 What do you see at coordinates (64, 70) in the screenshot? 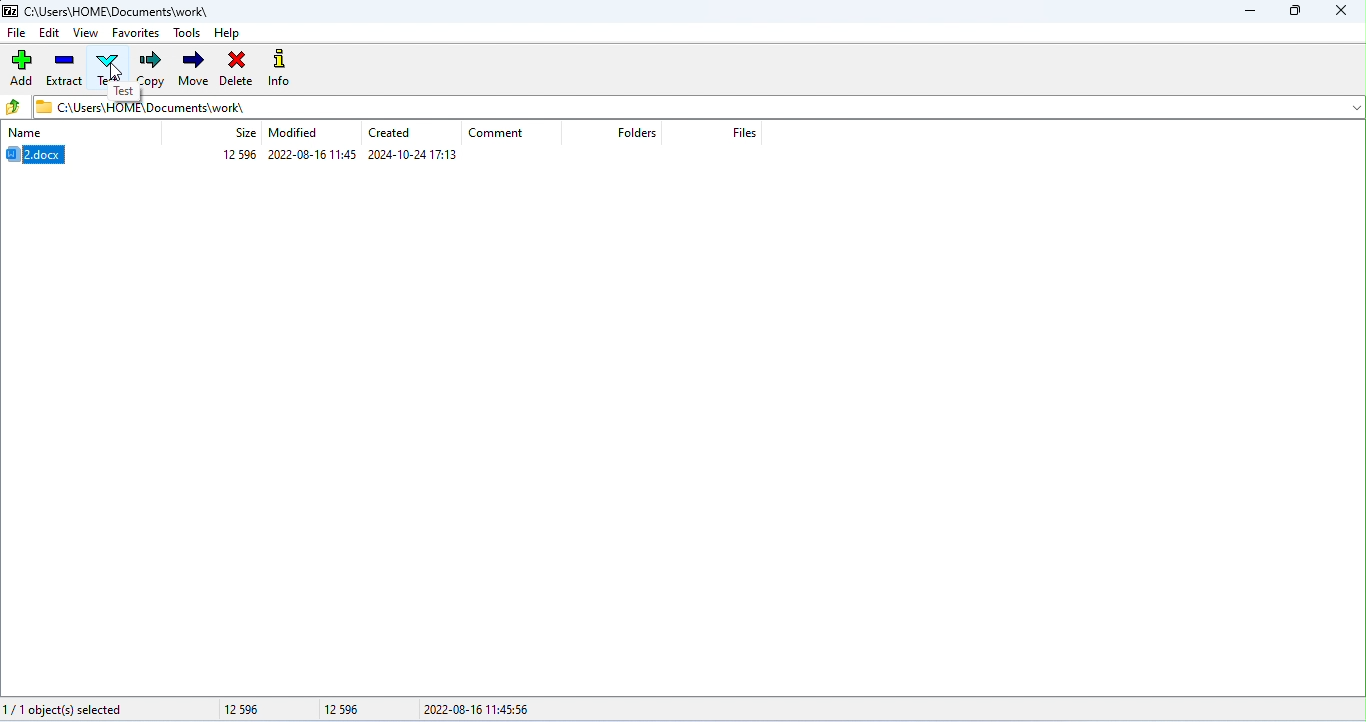
I see `extract` at bounding box center [64, 70].